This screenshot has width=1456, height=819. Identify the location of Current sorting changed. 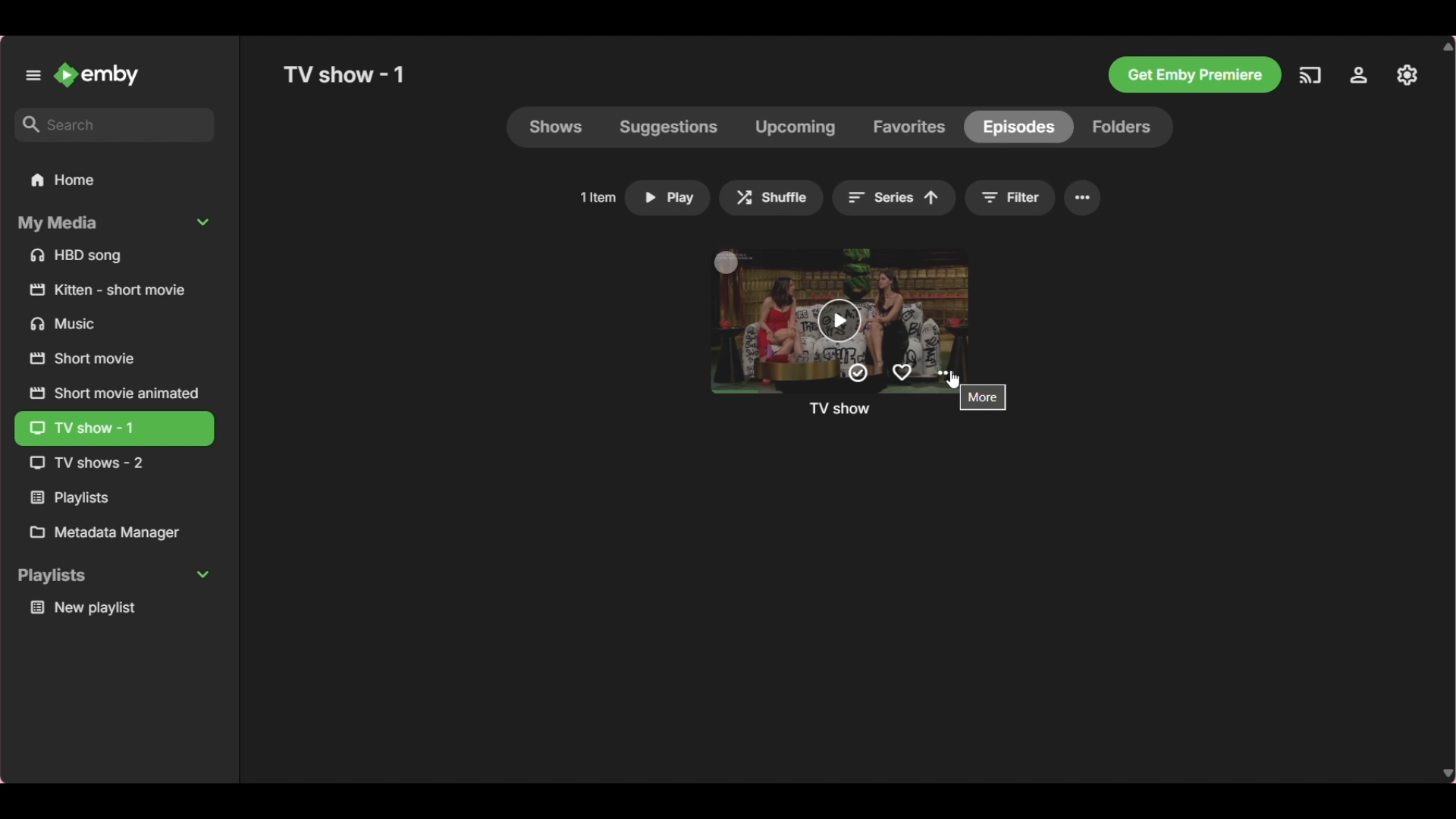
(895, 197).